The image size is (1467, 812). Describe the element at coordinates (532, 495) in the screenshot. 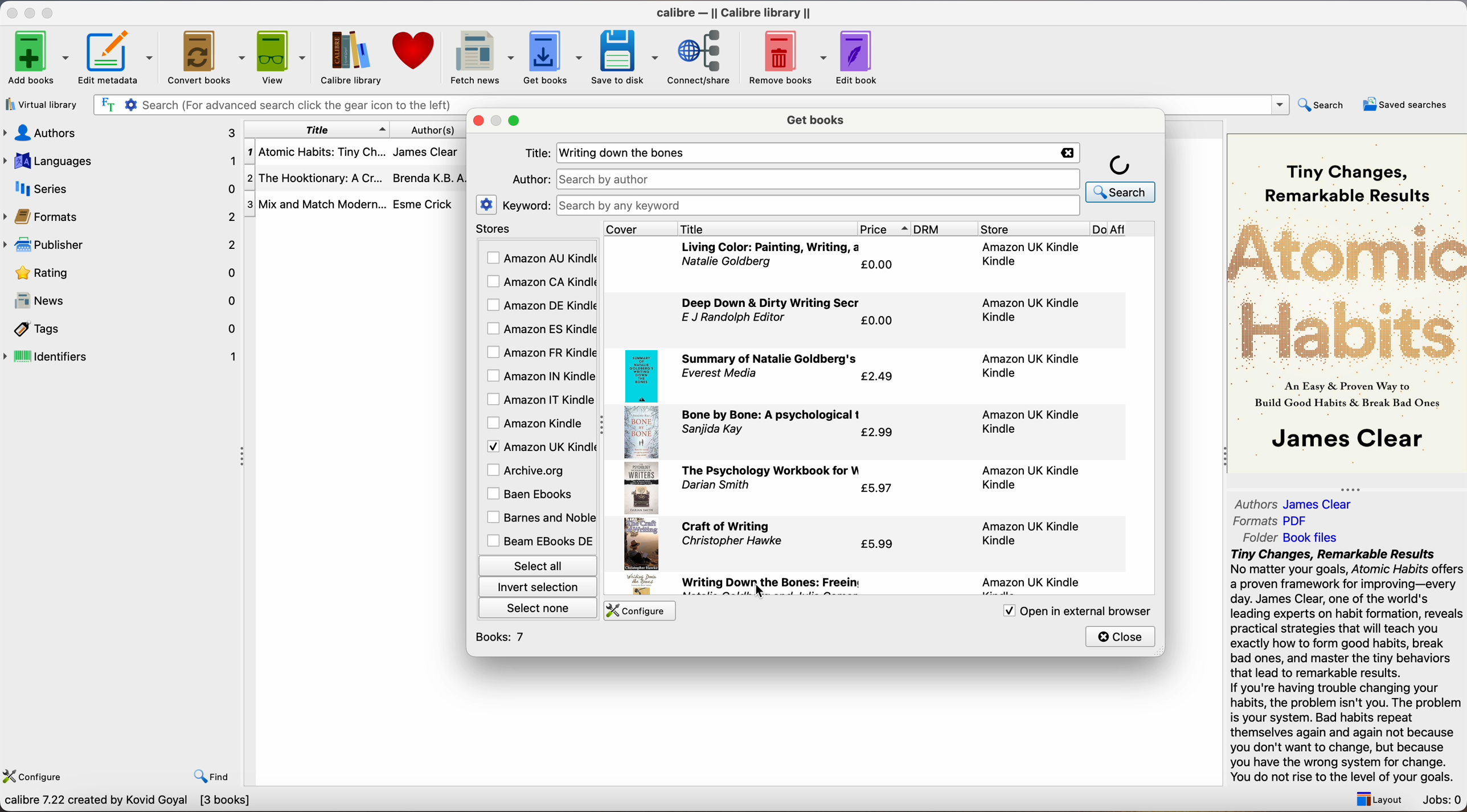

I see `baen ebooks` at that location.